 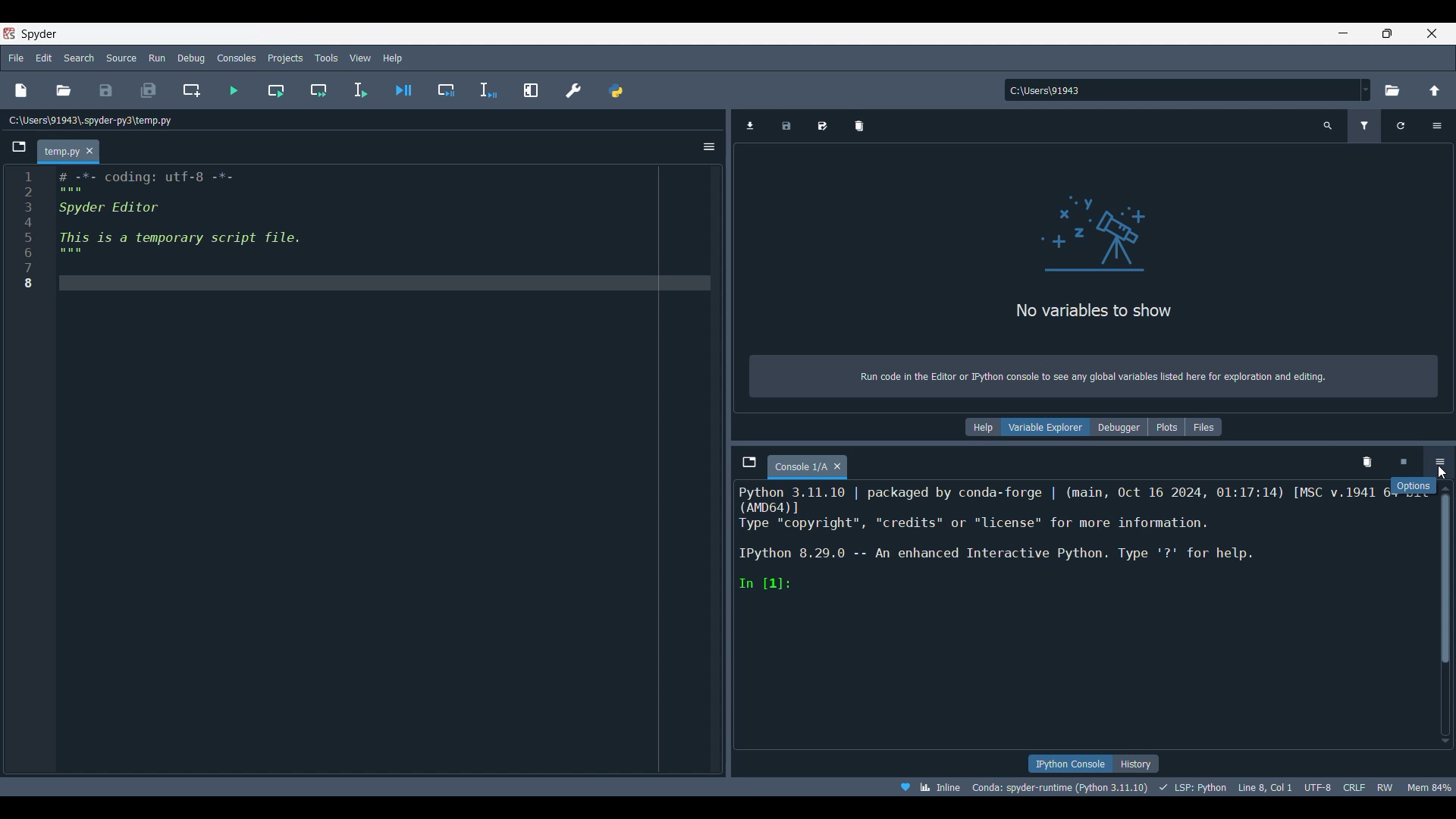 What do you see at coordinates (1119, 427) in the screenshot?
I see `Debugger` at bounding box center [1119, 427].